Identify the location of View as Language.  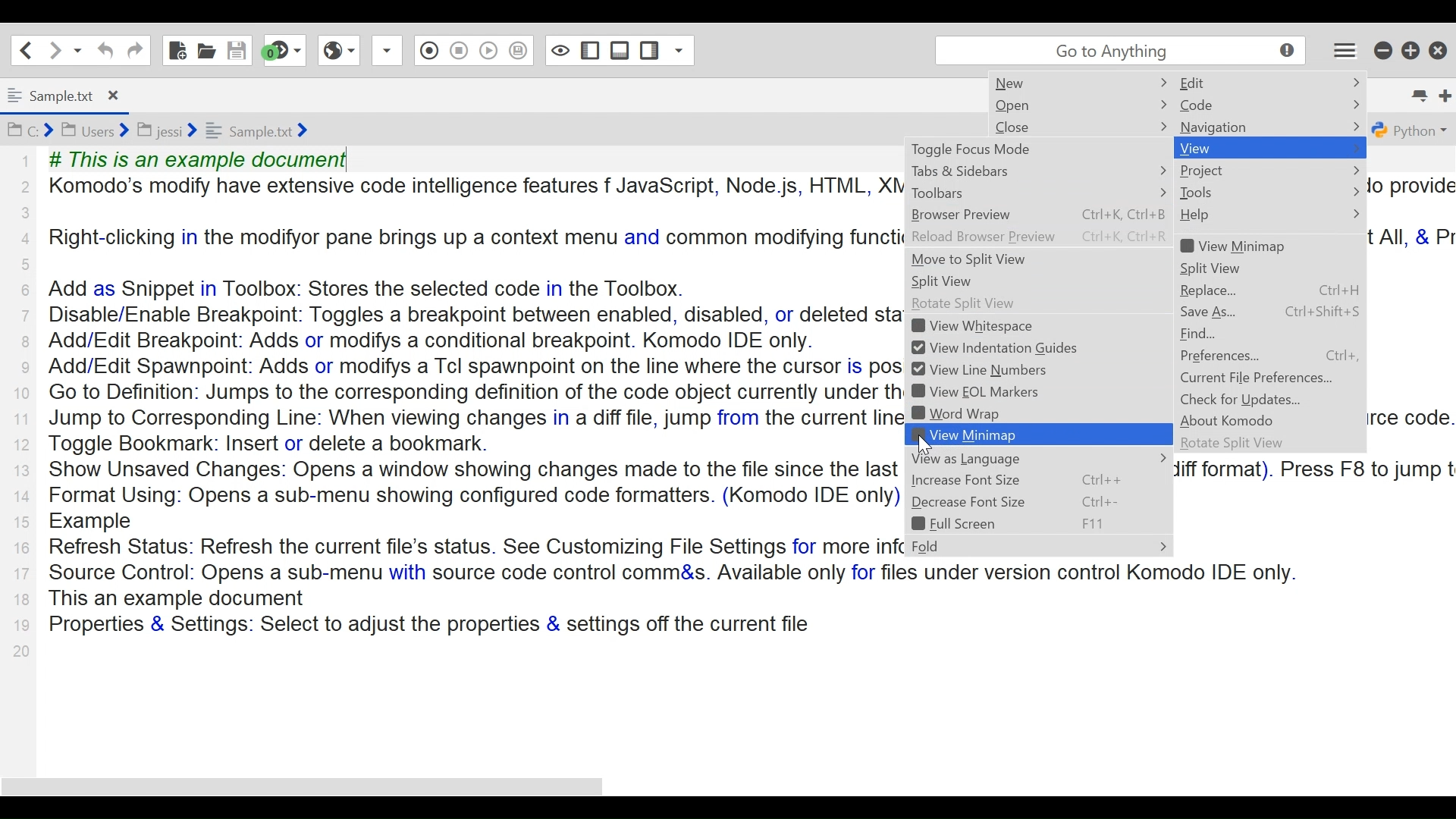
(1040, 459).